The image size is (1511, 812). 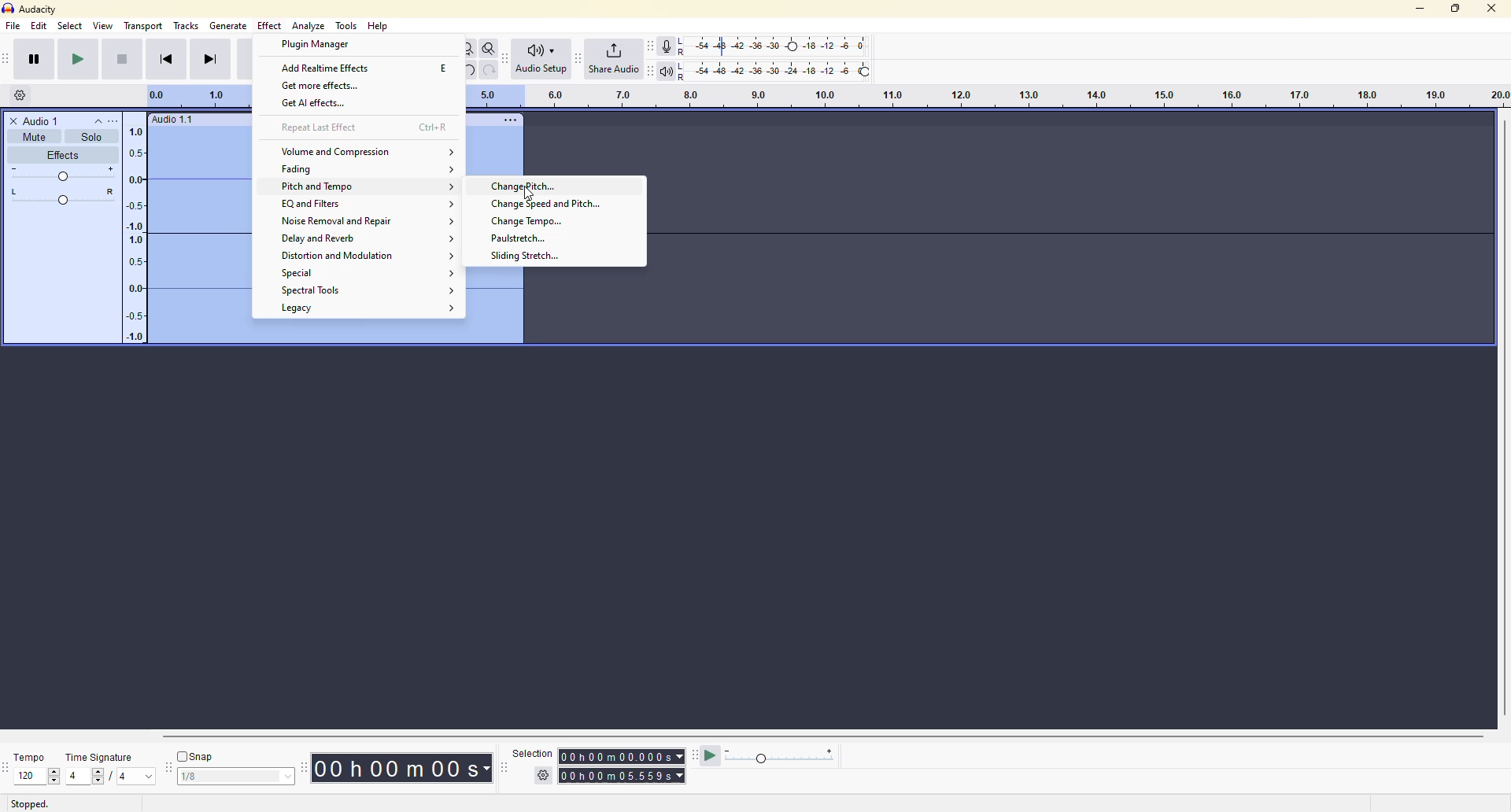 I want to click on audio, so click(x=173, y=120).